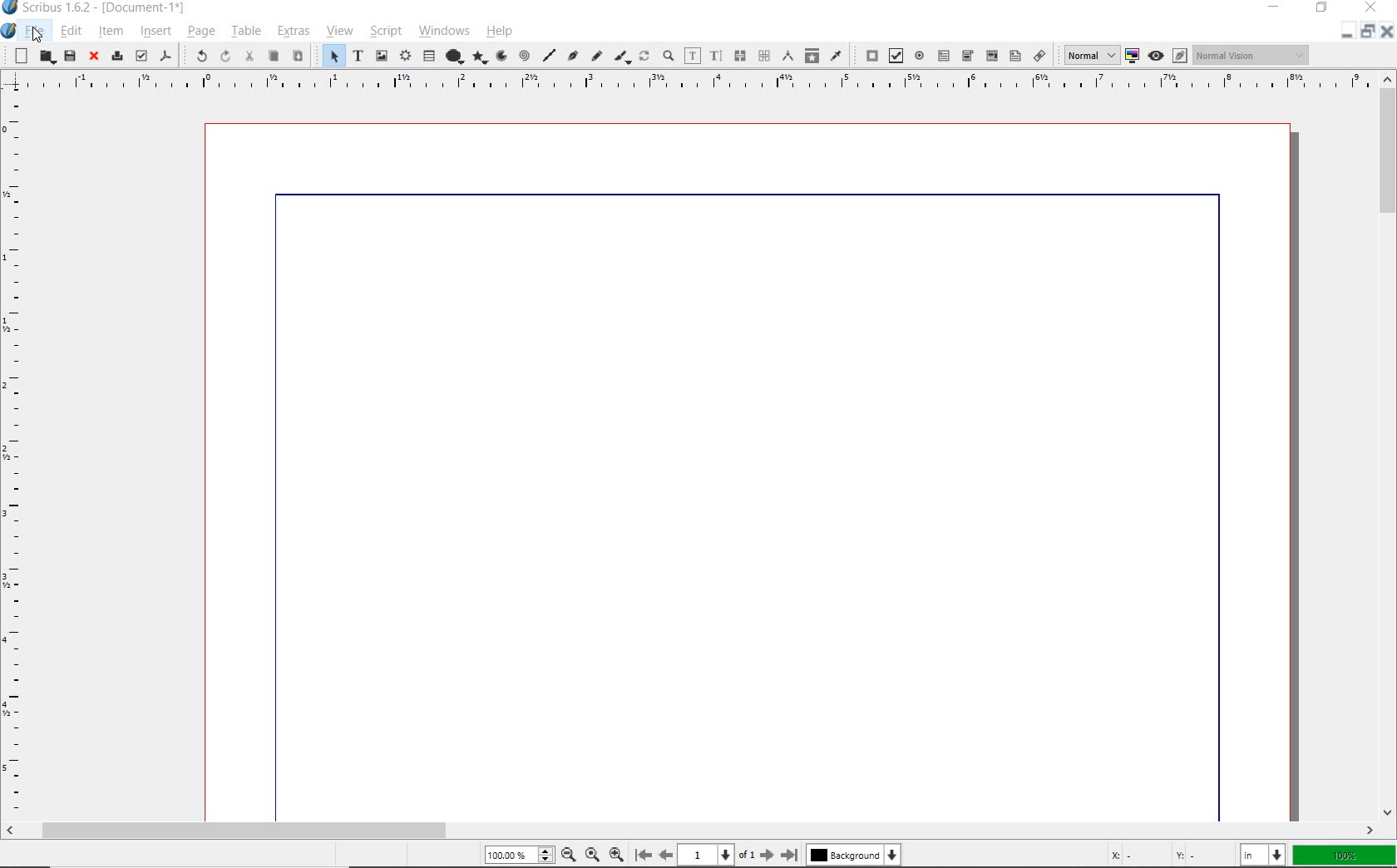 This screenshot has width=1397, height=868. I want to click on Zoom to 100%, so click(594, 855).